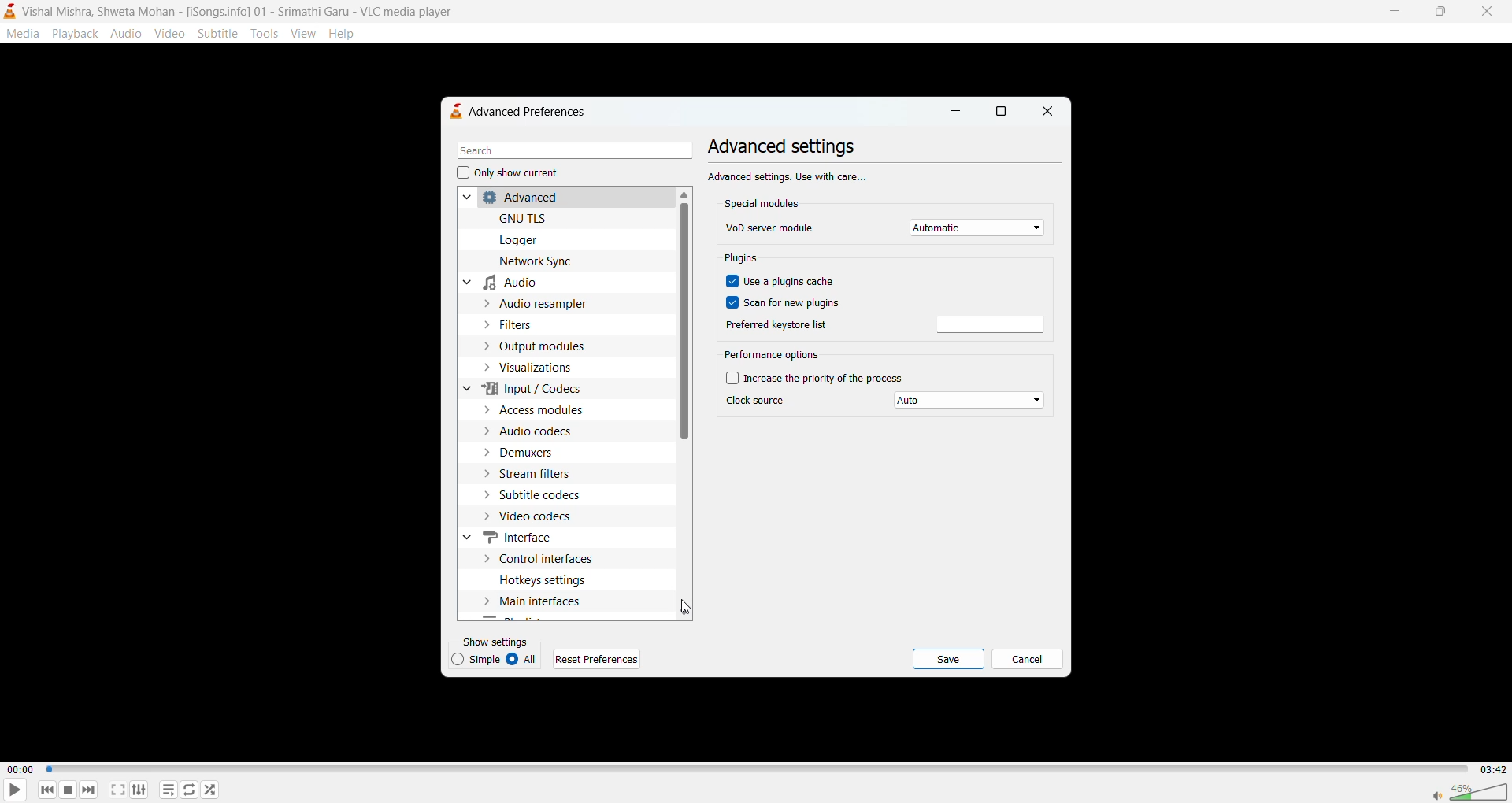 The width and height of the screenshot is (1512, 803). I want to click on previous, so click(48, 789).